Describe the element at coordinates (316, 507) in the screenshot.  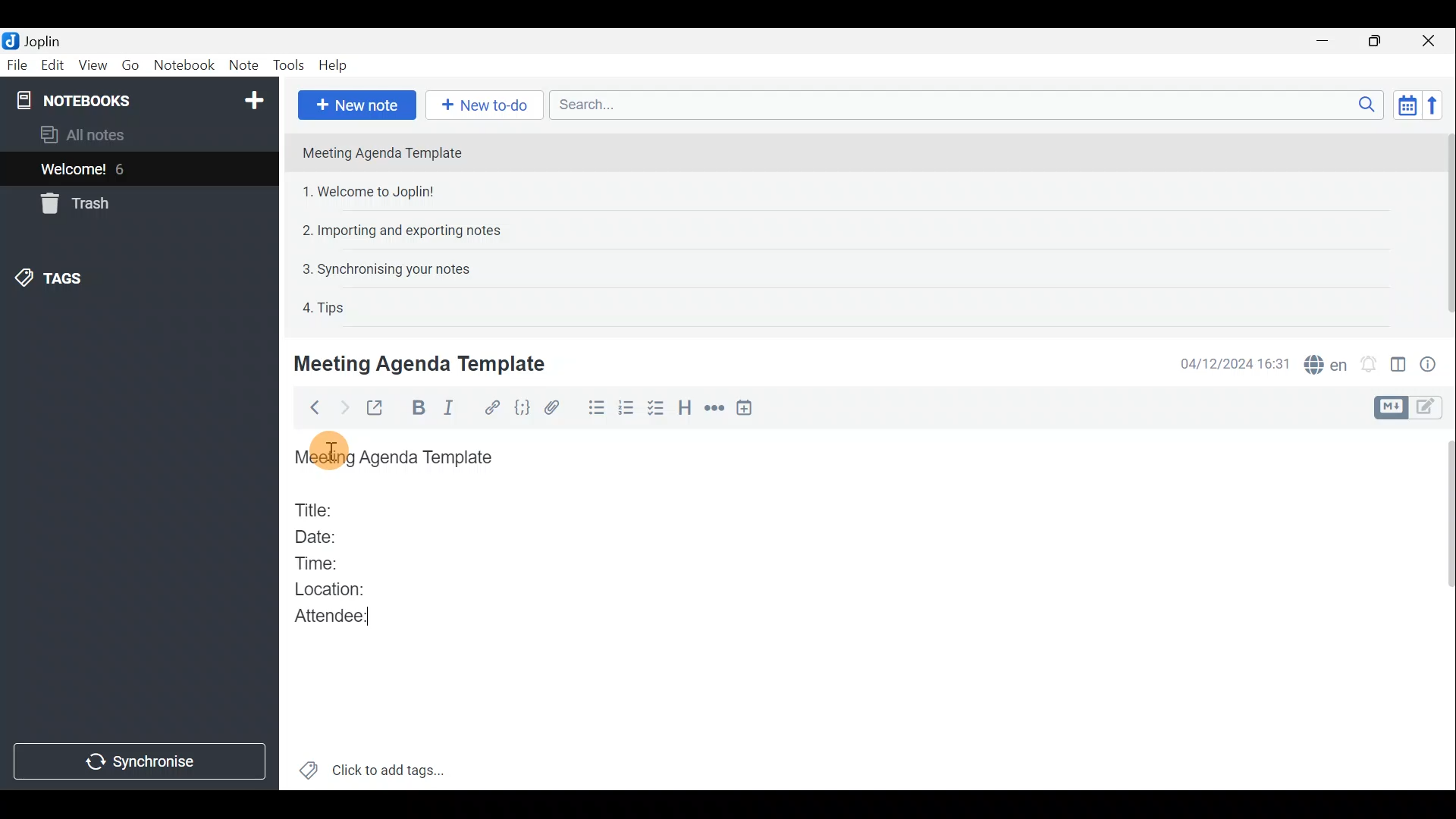
I see `Title:` at that location.